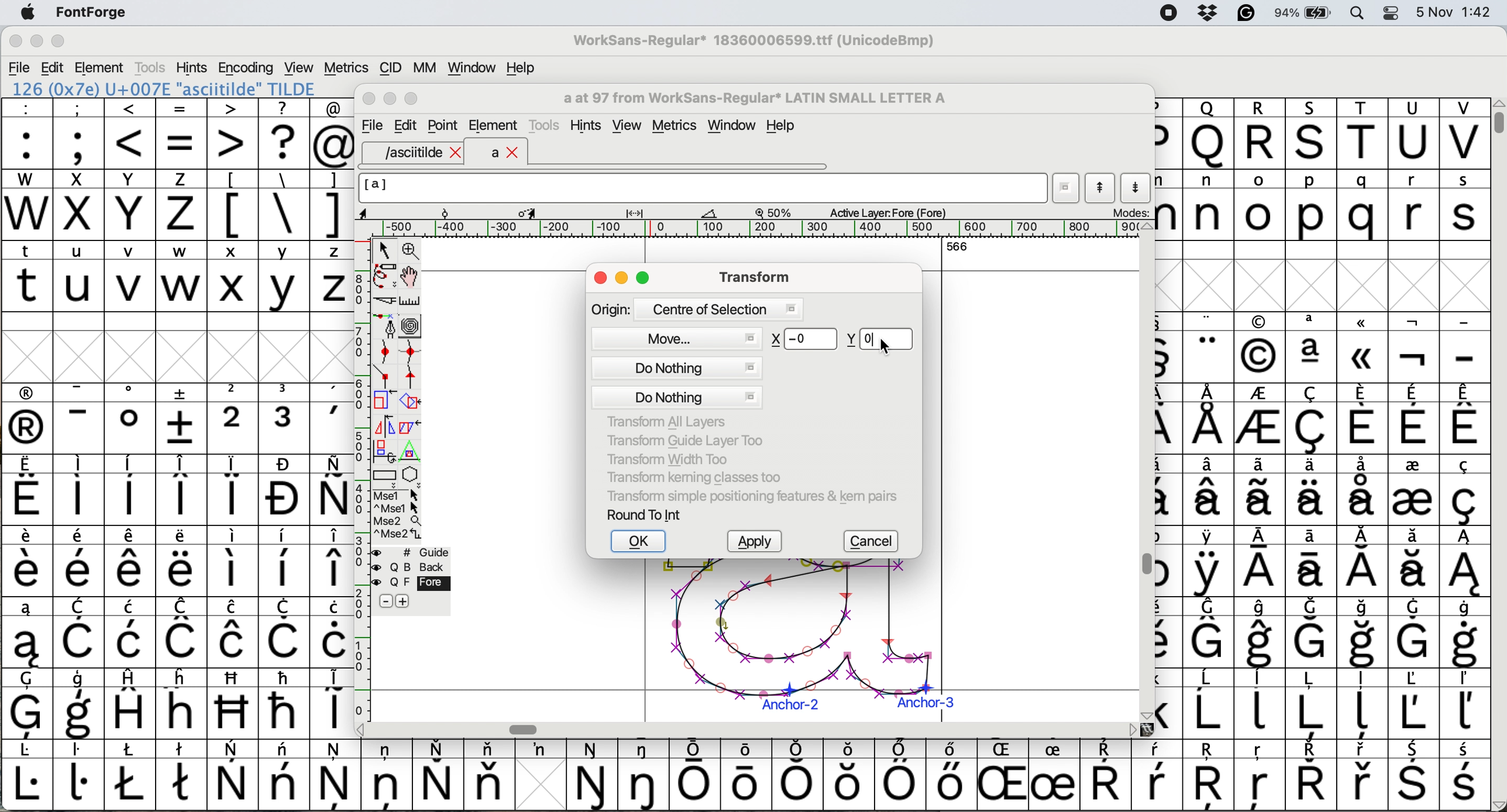 The width and height of the screenshot is (1507, 812). I want to click on symbol, so click(79, 774).